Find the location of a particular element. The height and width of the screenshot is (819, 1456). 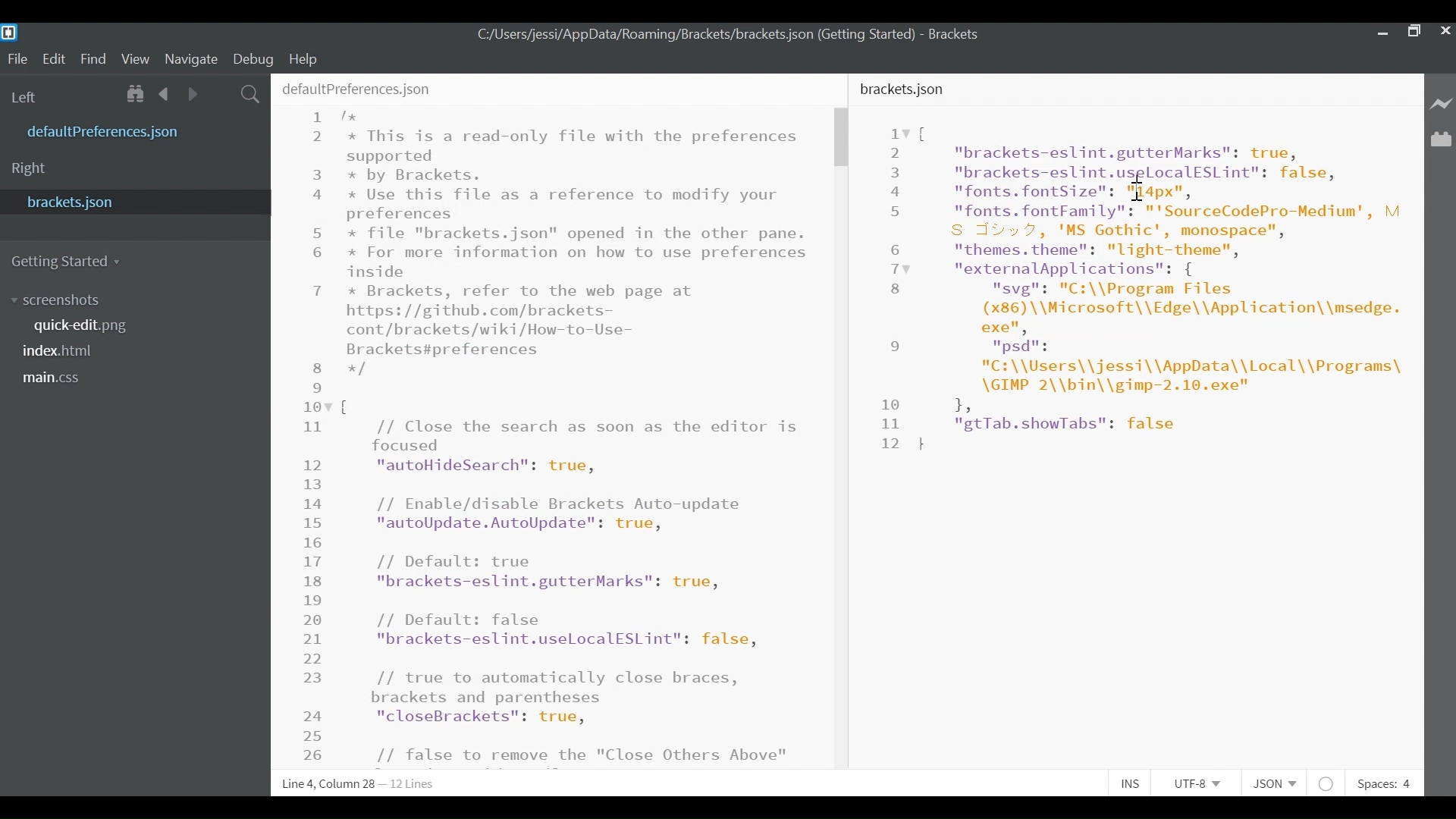

main.css is located at coordinates (58, 379).